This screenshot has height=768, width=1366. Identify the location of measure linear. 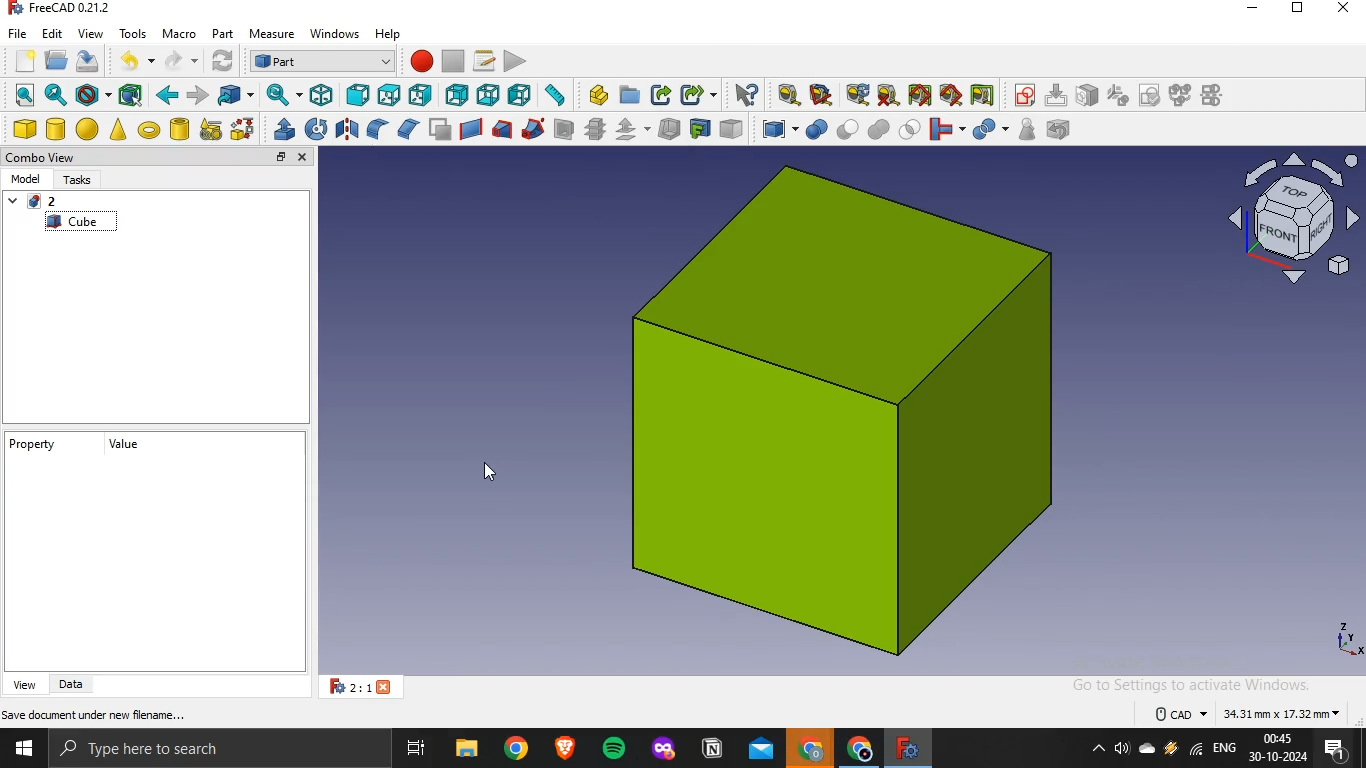
(790, 94).